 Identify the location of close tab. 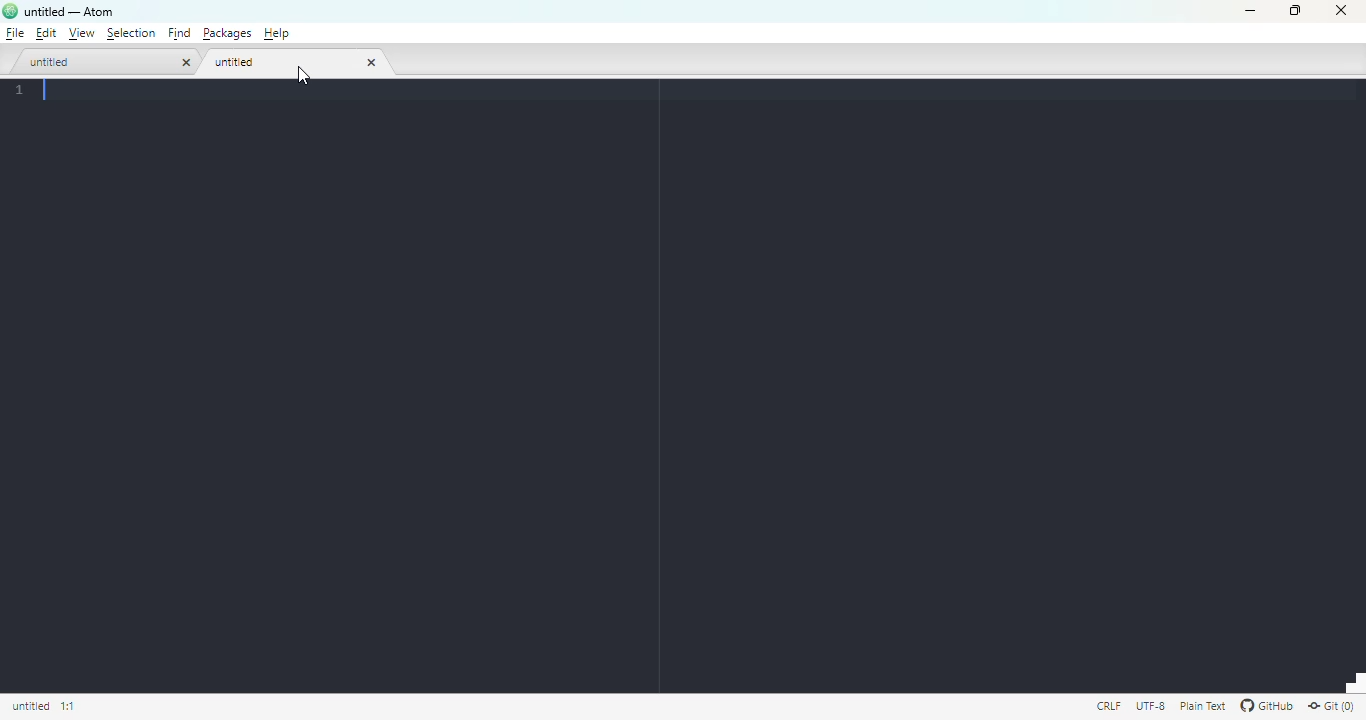
(187, 63).